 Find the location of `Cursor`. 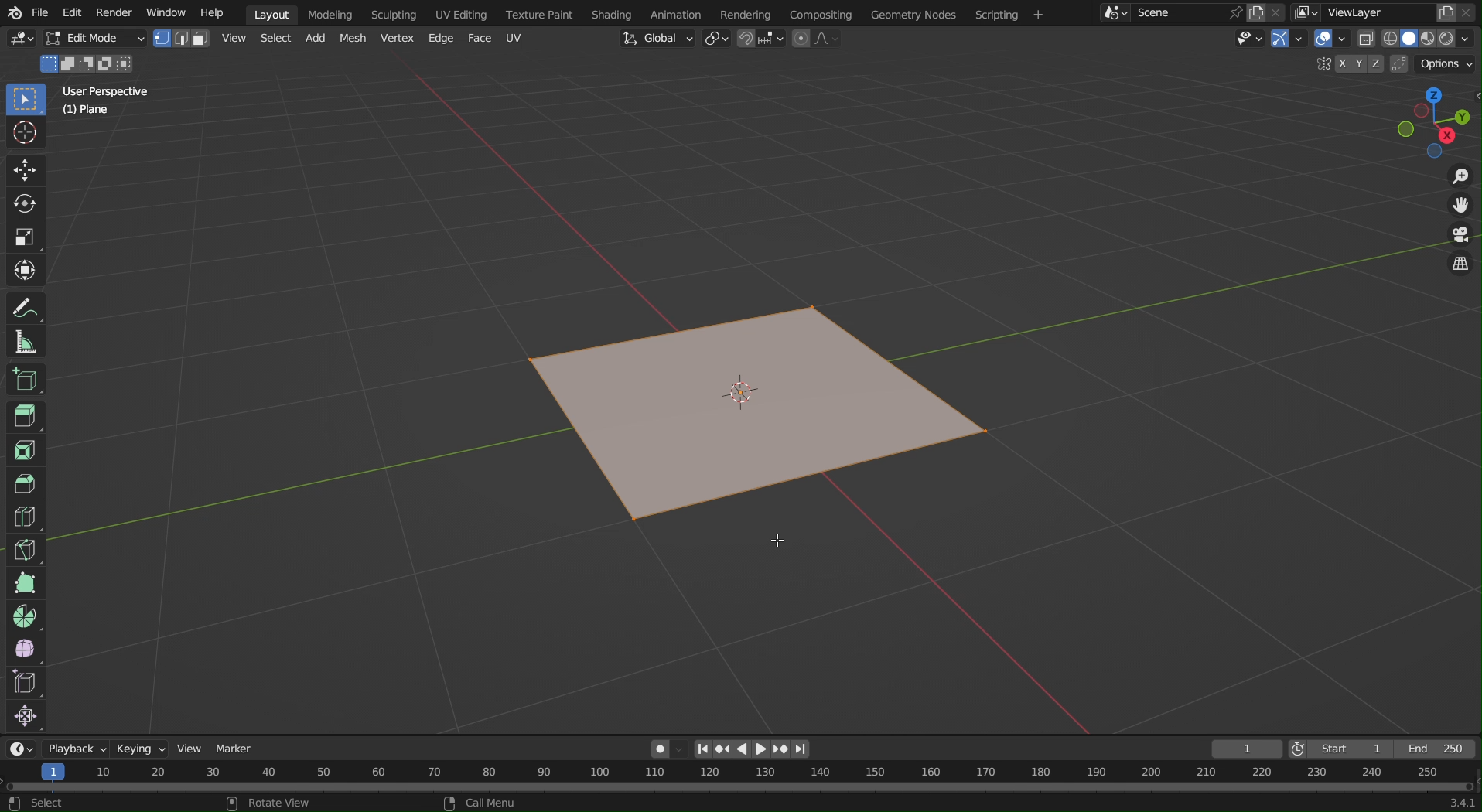

Cursor is located at coordinates (777, 541).